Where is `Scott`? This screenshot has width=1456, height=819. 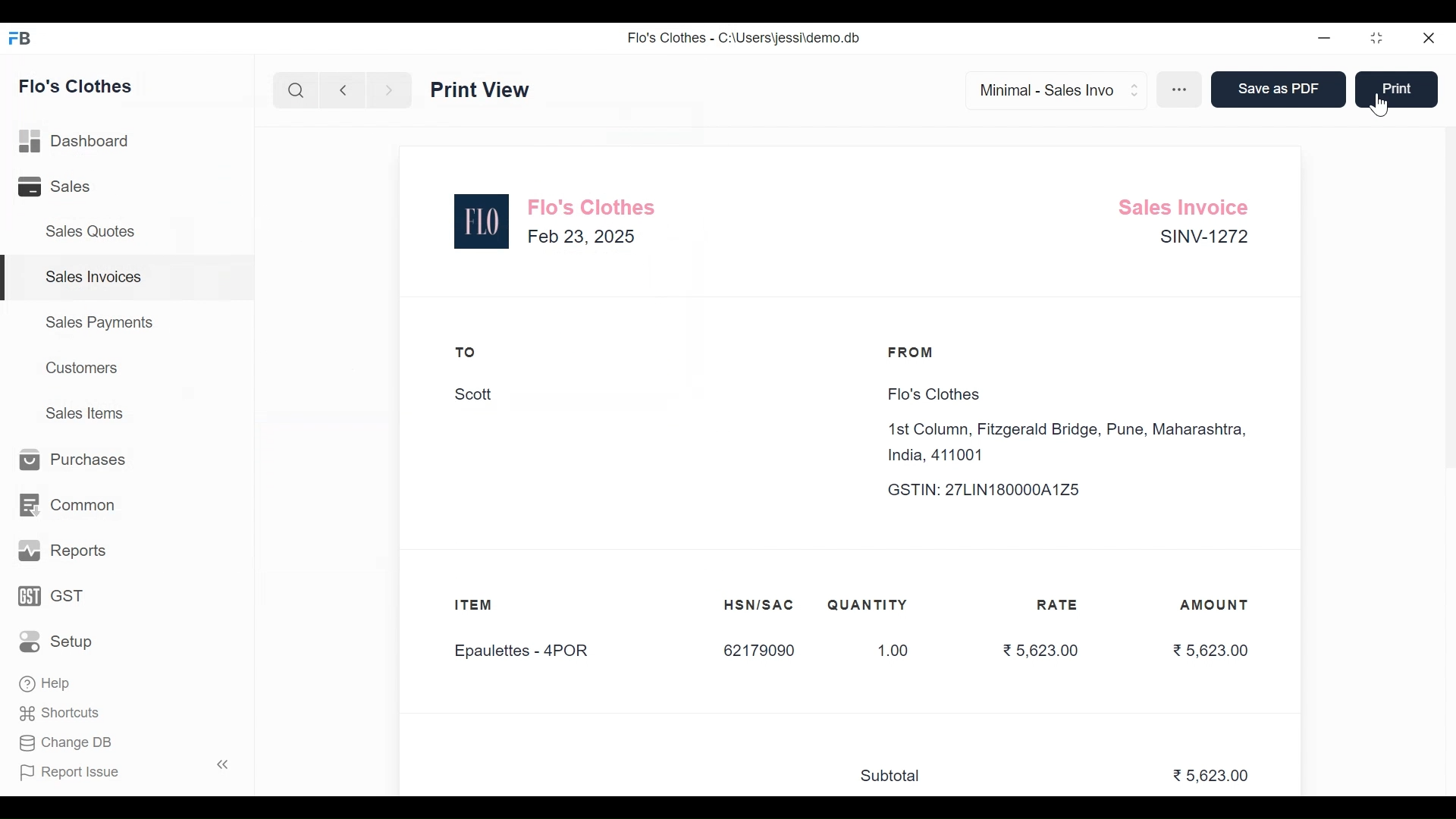 Scott is located at coordinates (475, 395).